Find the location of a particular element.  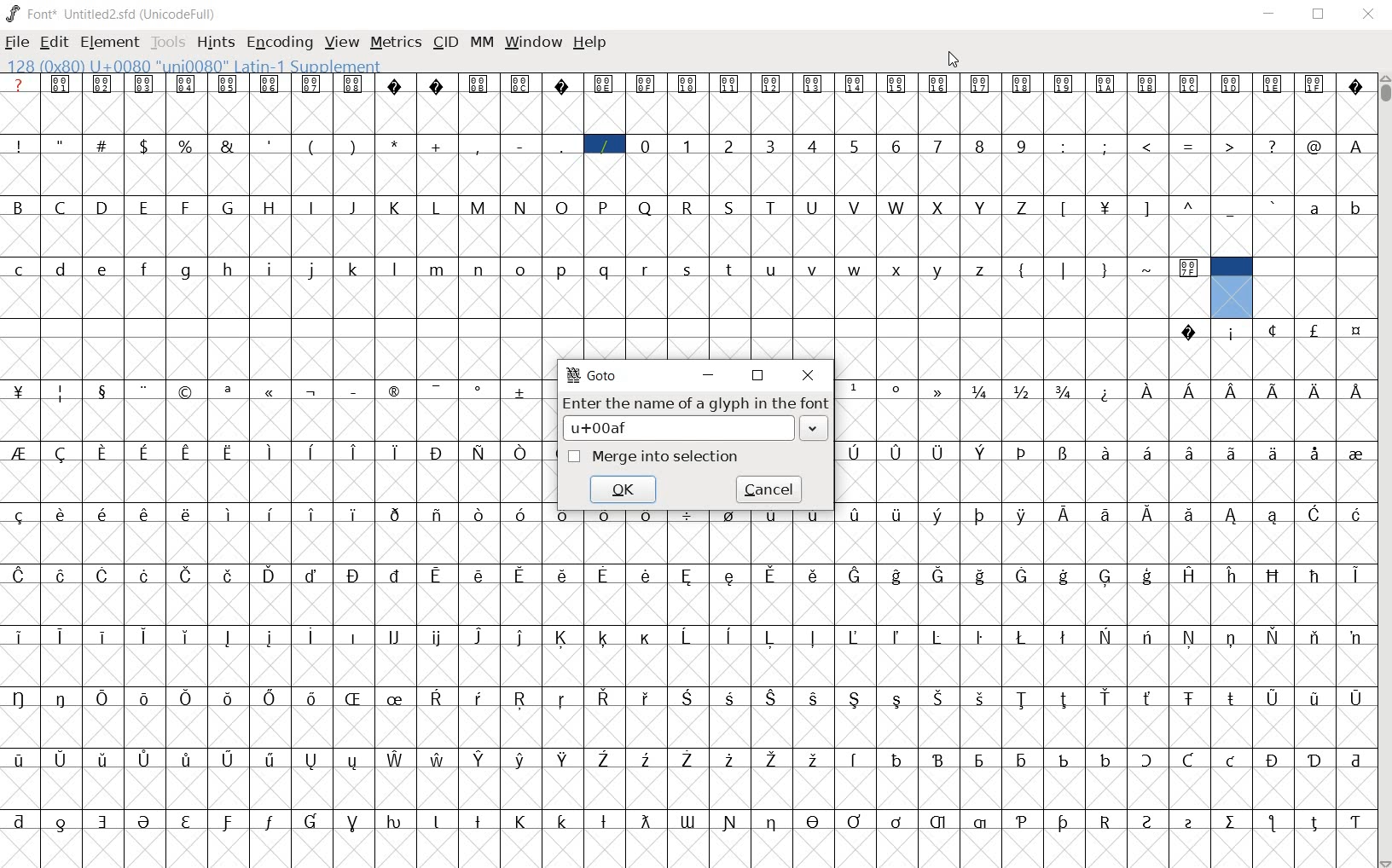

 is located at coordinates (1190, 758).